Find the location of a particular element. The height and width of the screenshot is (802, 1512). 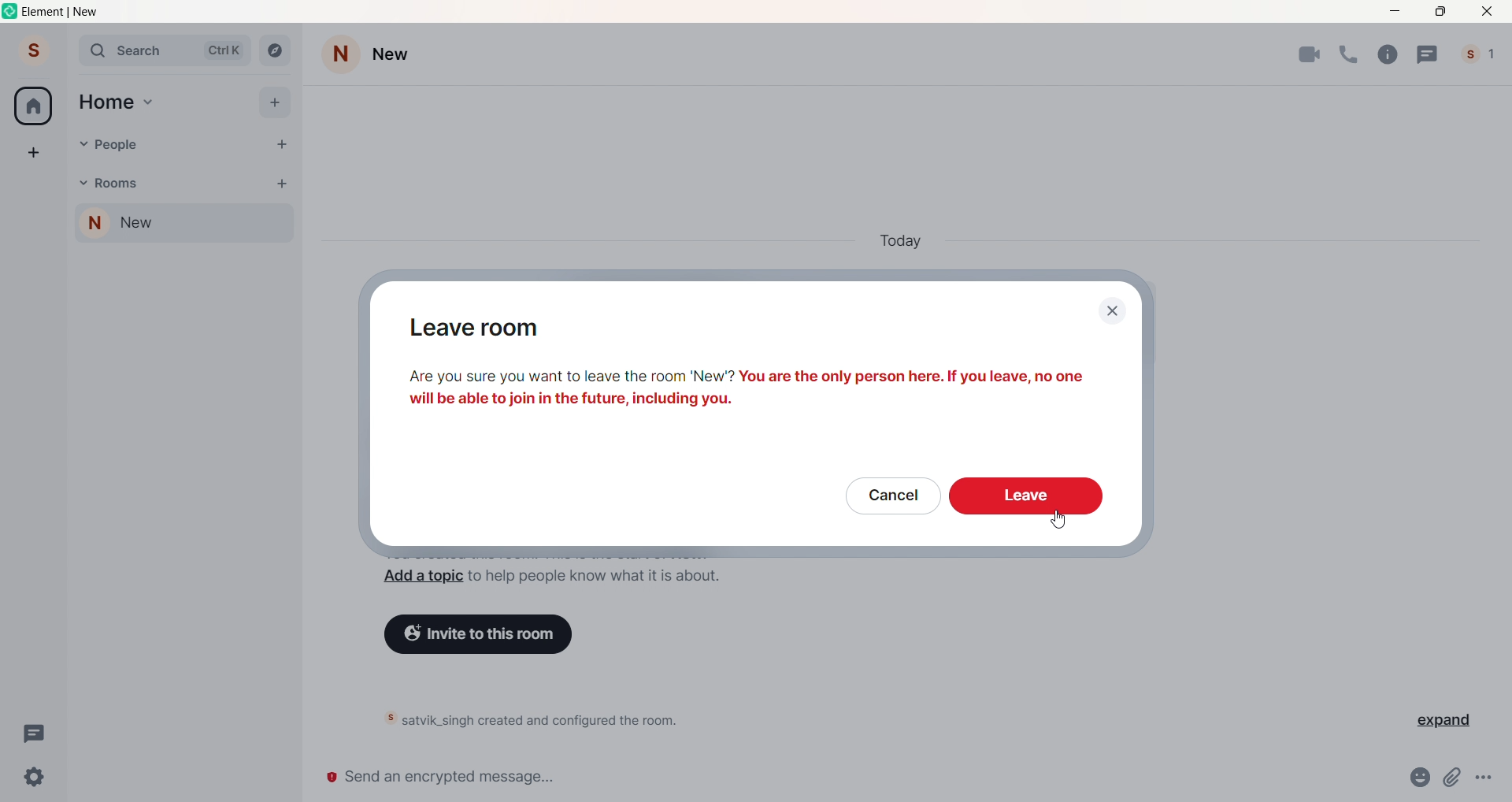

Add Room is located at coordinates (283, 183).